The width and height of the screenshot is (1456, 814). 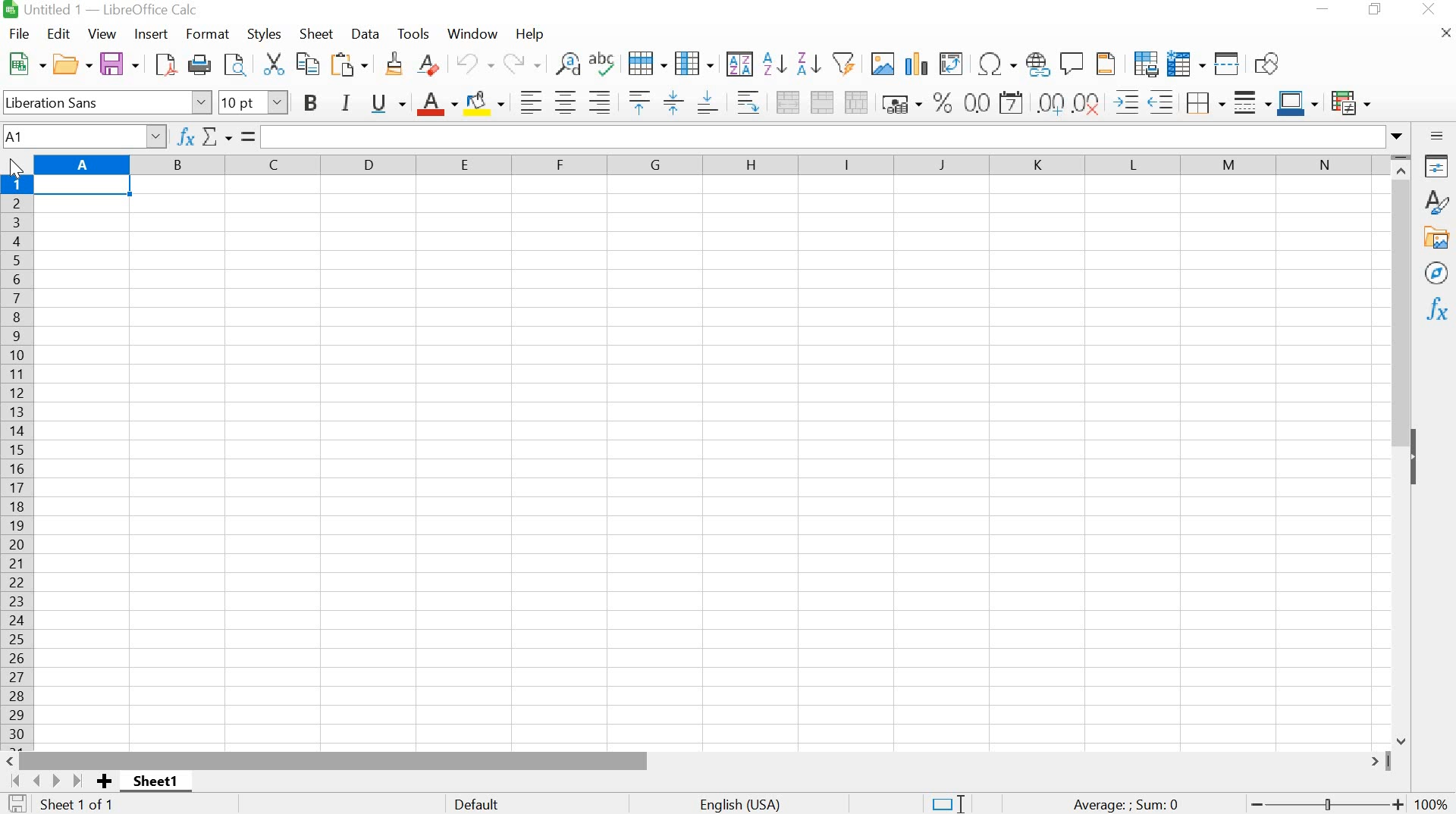 What do you see at coordinates (162, 783) in the screenshot?
I see `SHEET1` at bounding box center [162, 783].